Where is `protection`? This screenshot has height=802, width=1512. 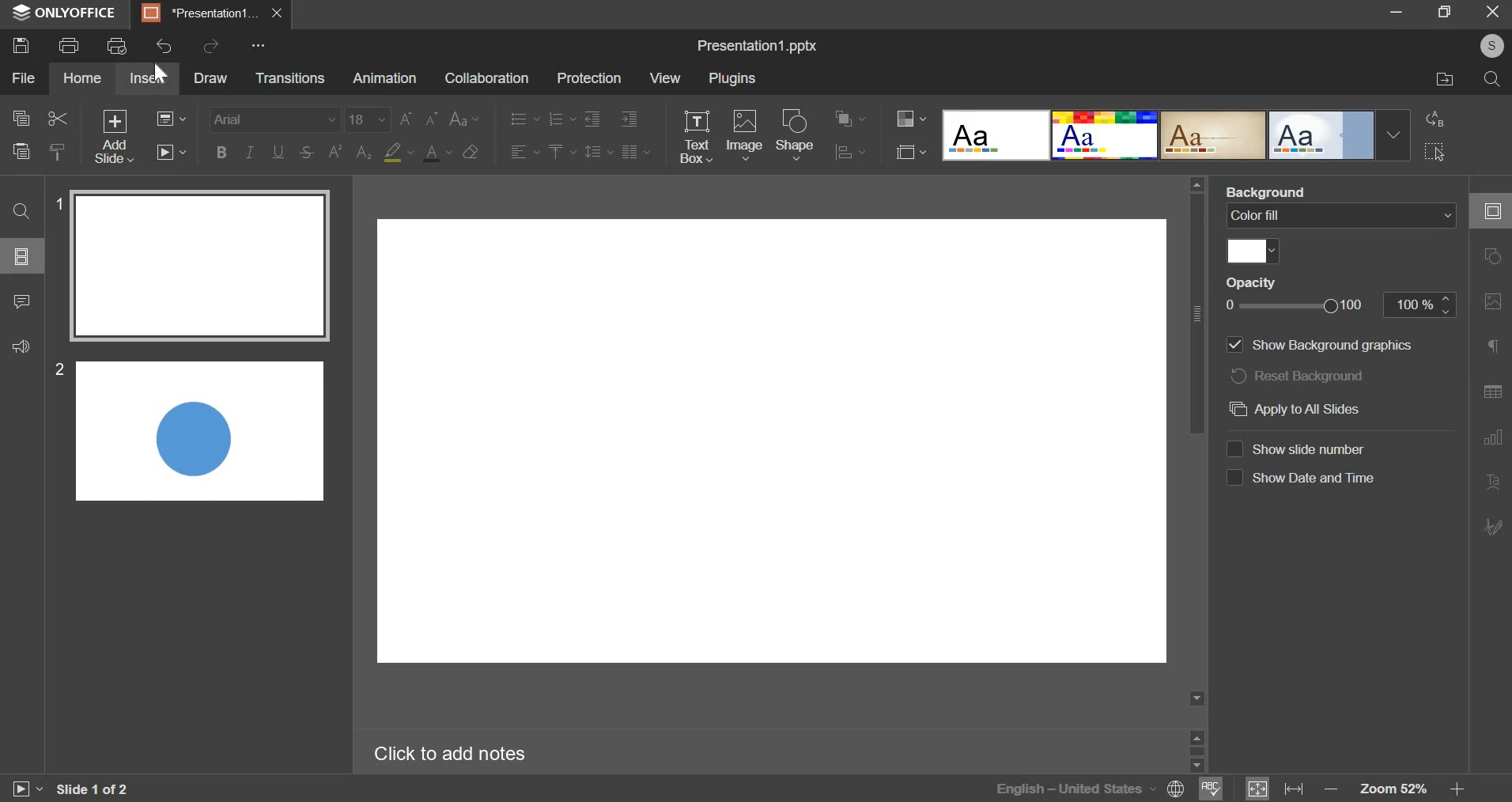 protection is located at coordinates (589, 79).